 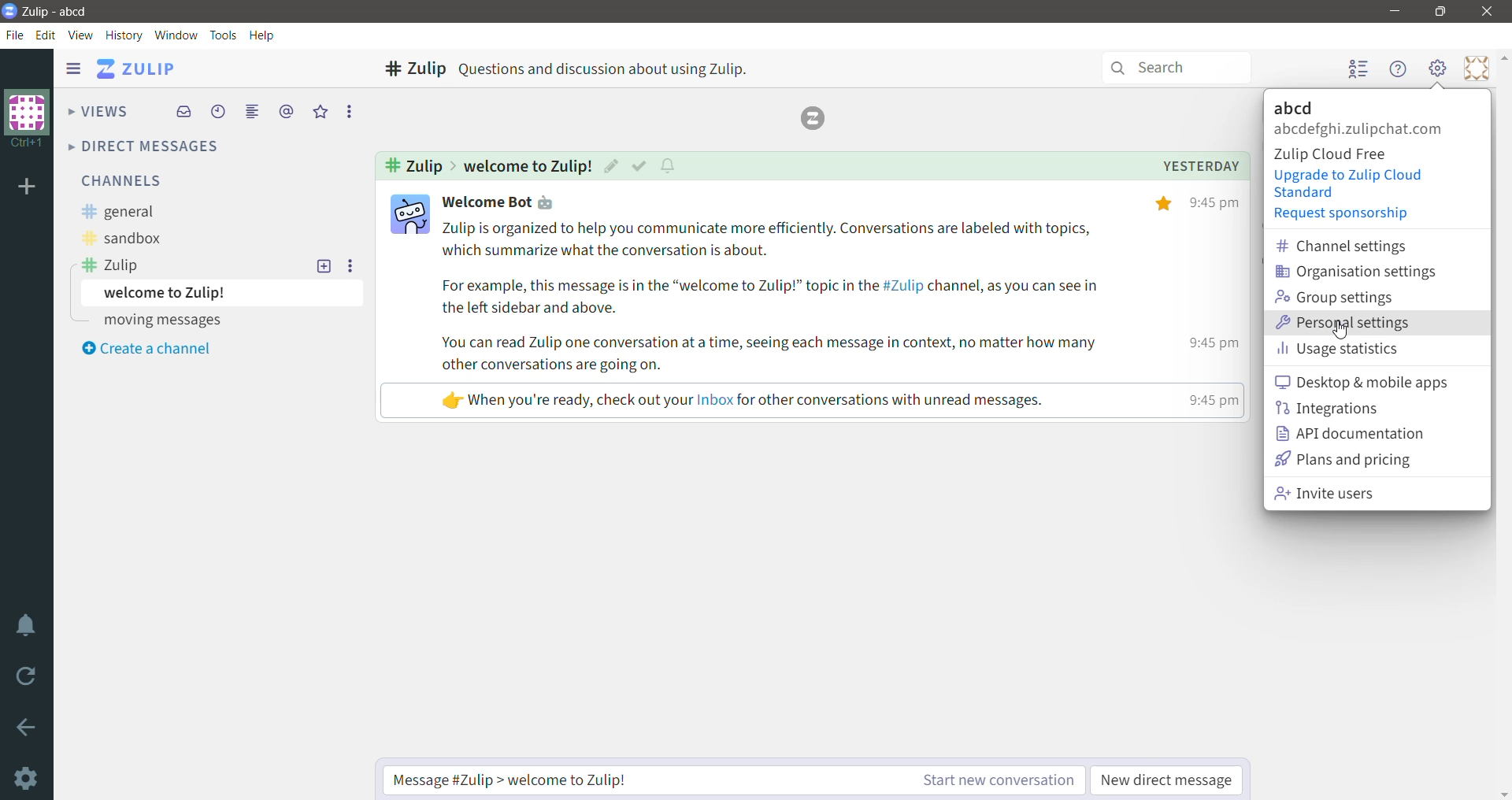 What do you see at coordinates (812, 119) in the screenshot?
I see `Logo` at bounding box center [812, 119].